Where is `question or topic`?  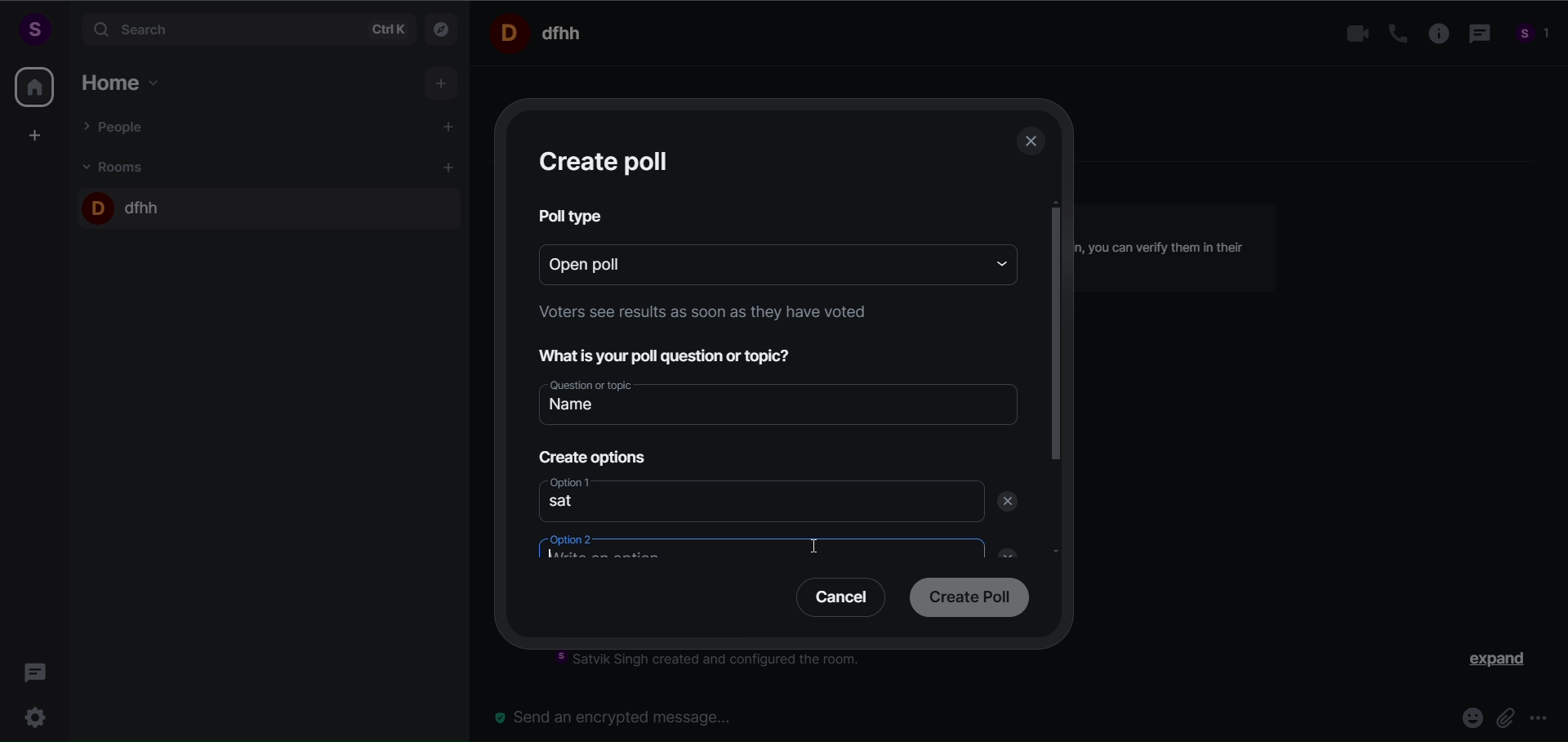 question or topic is located at coordinates (782, 400).